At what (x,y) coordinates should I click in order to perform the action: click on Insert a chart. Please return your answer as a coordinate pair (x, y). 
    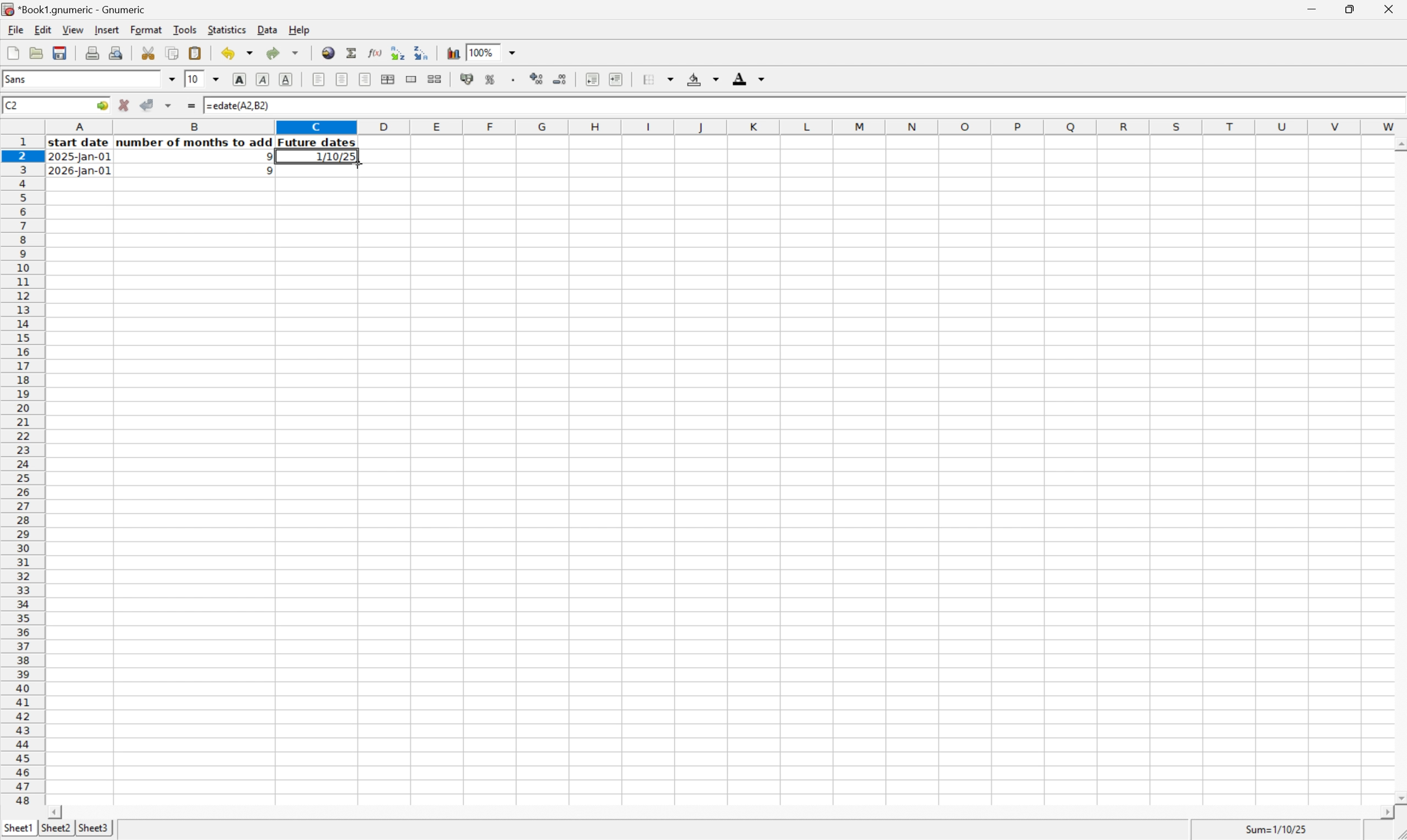
    Looking at the image, I should click on (454, 53).